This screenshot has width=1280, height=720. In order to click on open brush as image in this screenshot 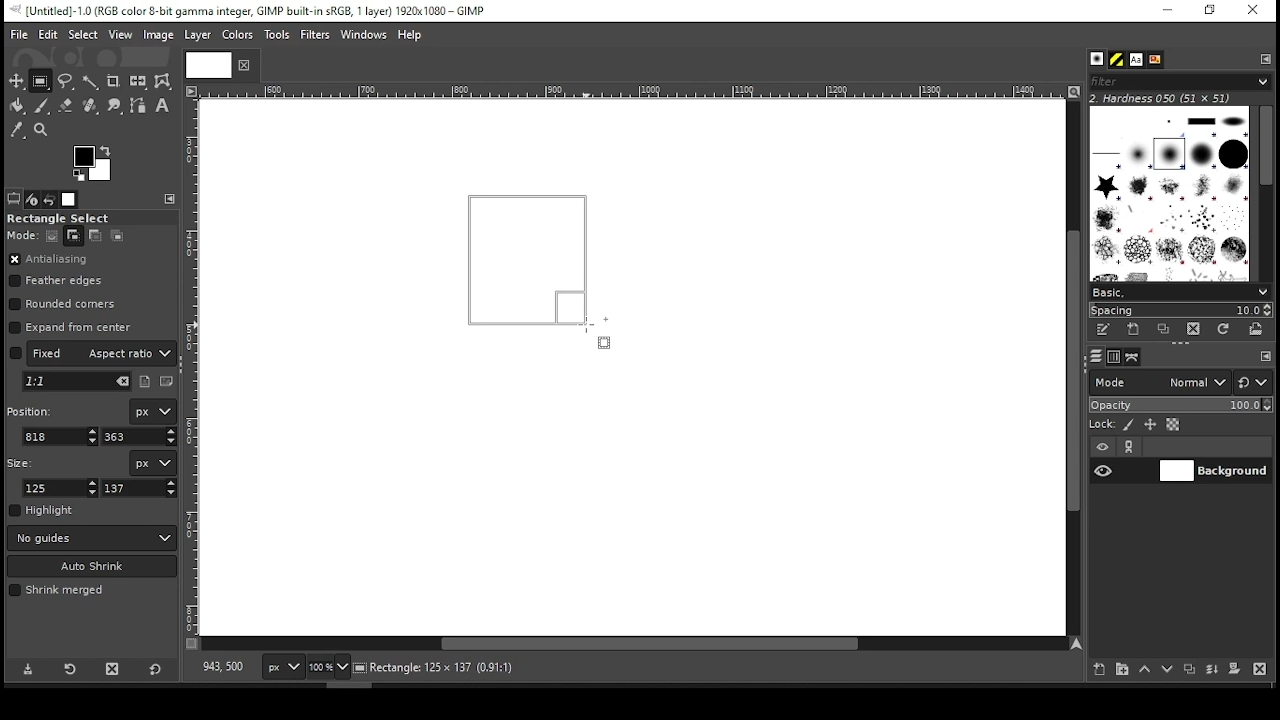, I will do `click(1257, 329)`.